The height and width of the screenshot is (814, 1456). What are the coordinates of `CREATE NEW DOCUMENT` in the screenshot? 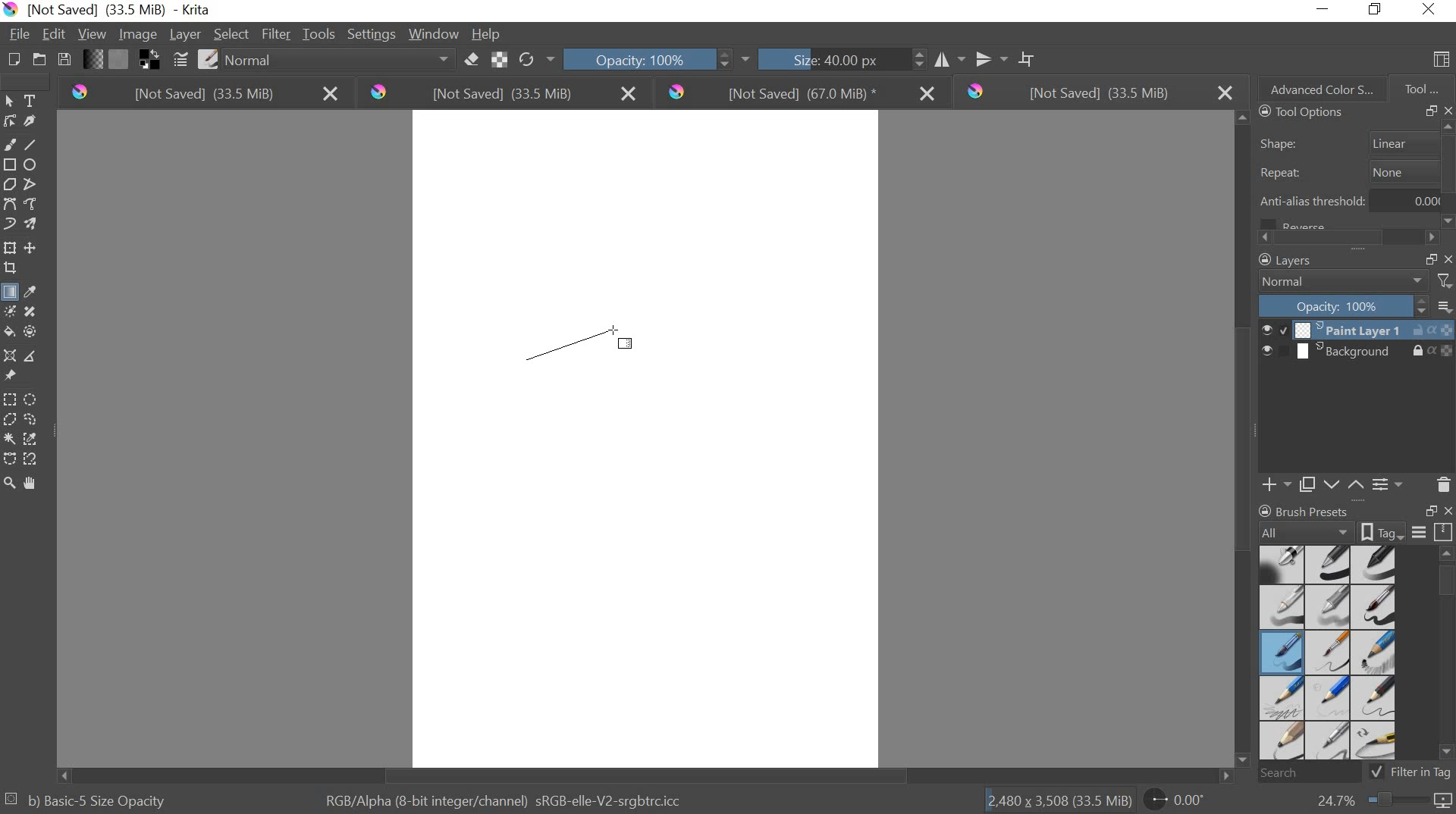 It's located at (10, 60).